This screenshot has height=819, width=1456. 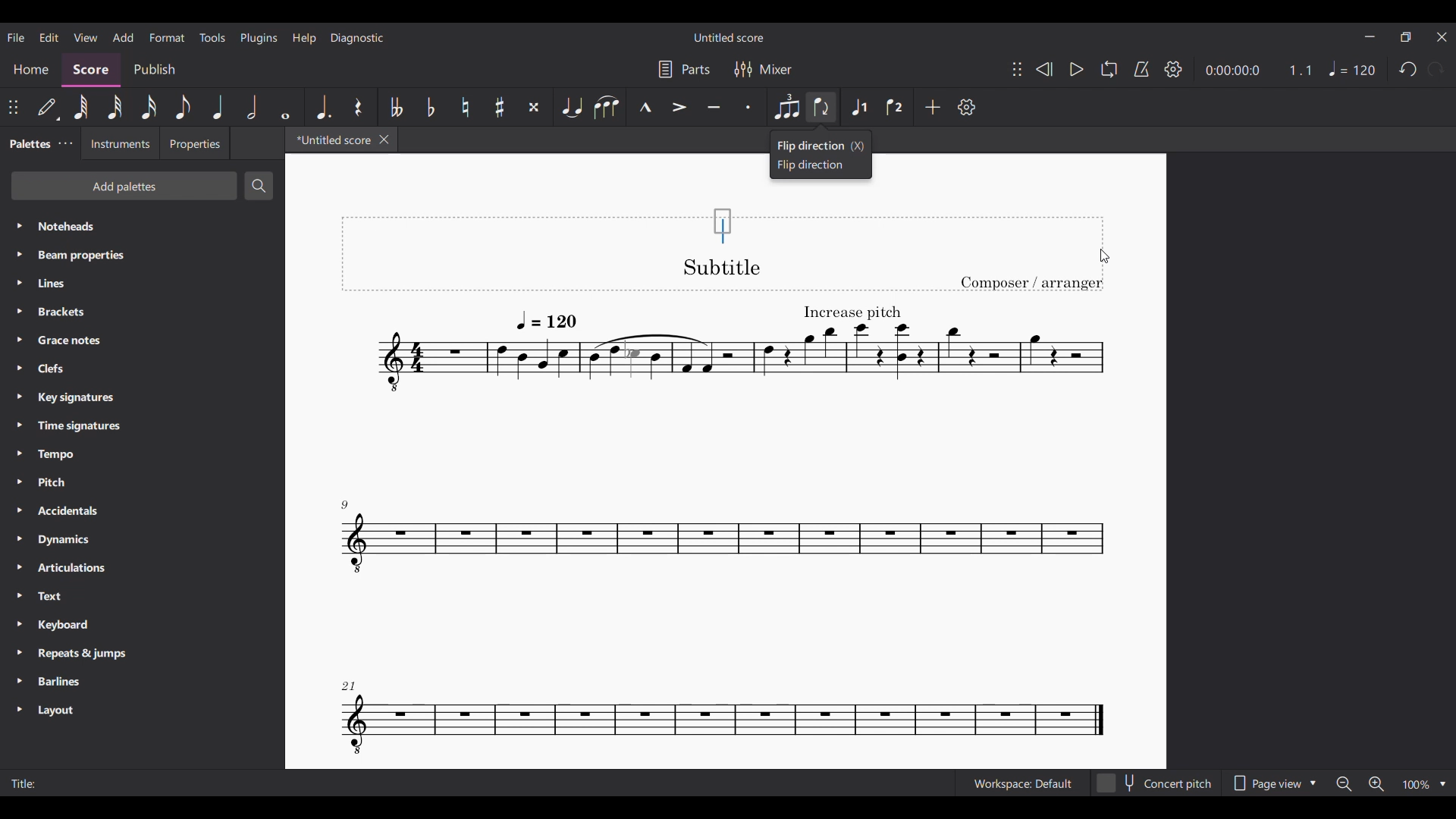 I want to click on Change position, so click(x=1018, y=69).